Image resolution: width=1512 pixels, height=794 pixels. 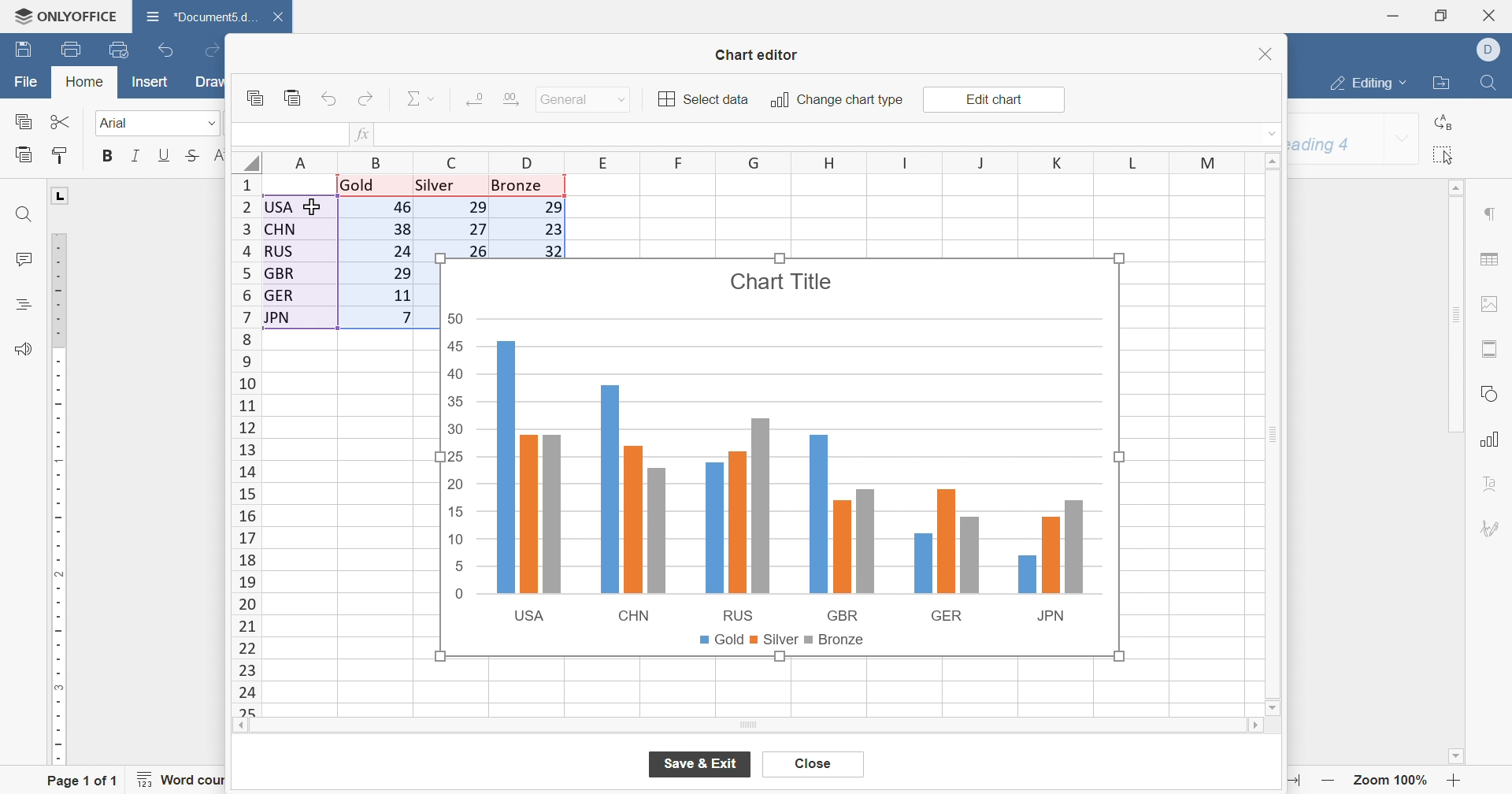 What do you see at coordinates (315, 208) in the screenshot?
I see `cursor` at bounding box center [315, 208].